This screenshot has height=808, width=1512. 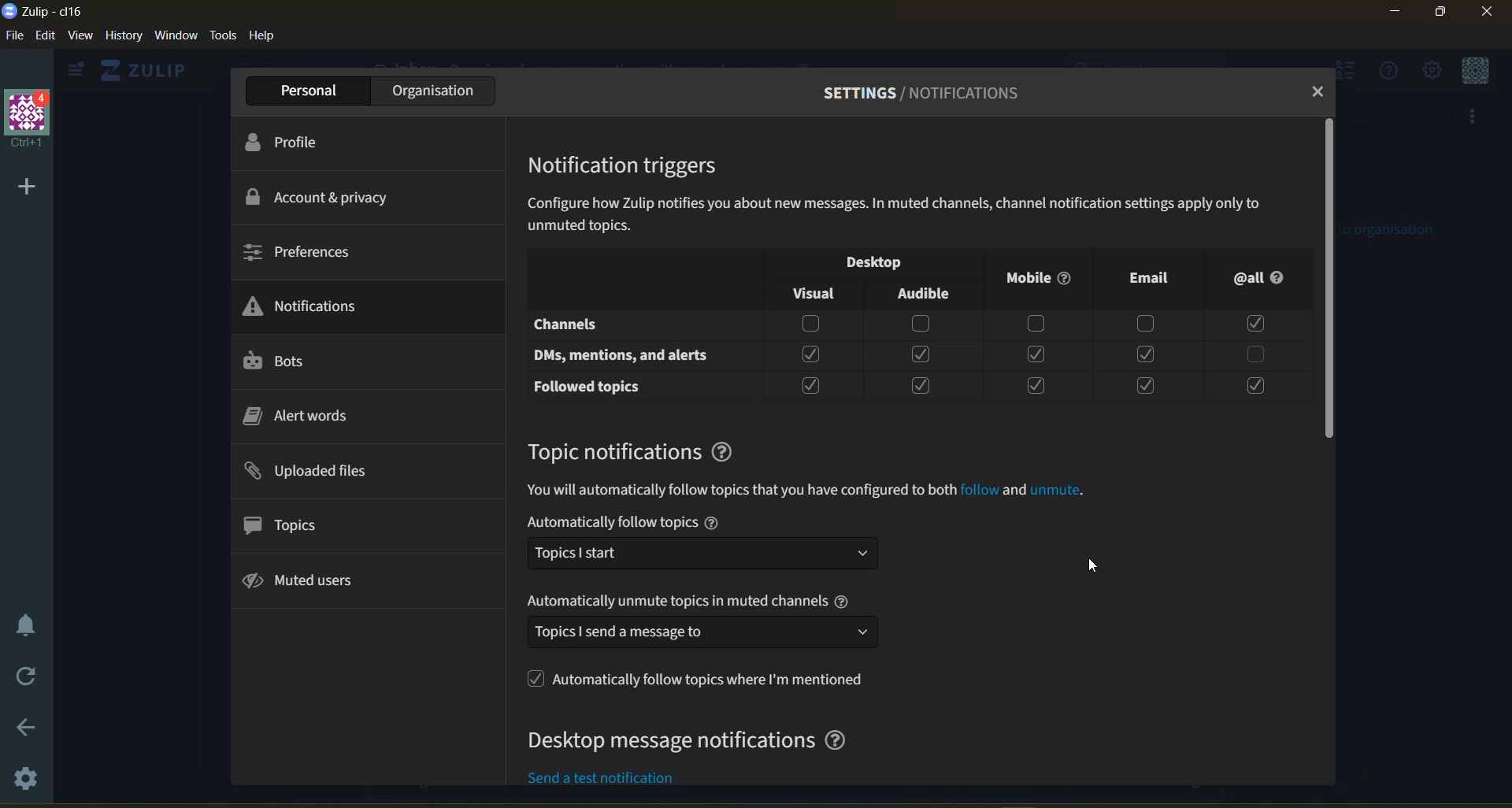 I want to click on Checkbox, so click(x=1037, y=356).